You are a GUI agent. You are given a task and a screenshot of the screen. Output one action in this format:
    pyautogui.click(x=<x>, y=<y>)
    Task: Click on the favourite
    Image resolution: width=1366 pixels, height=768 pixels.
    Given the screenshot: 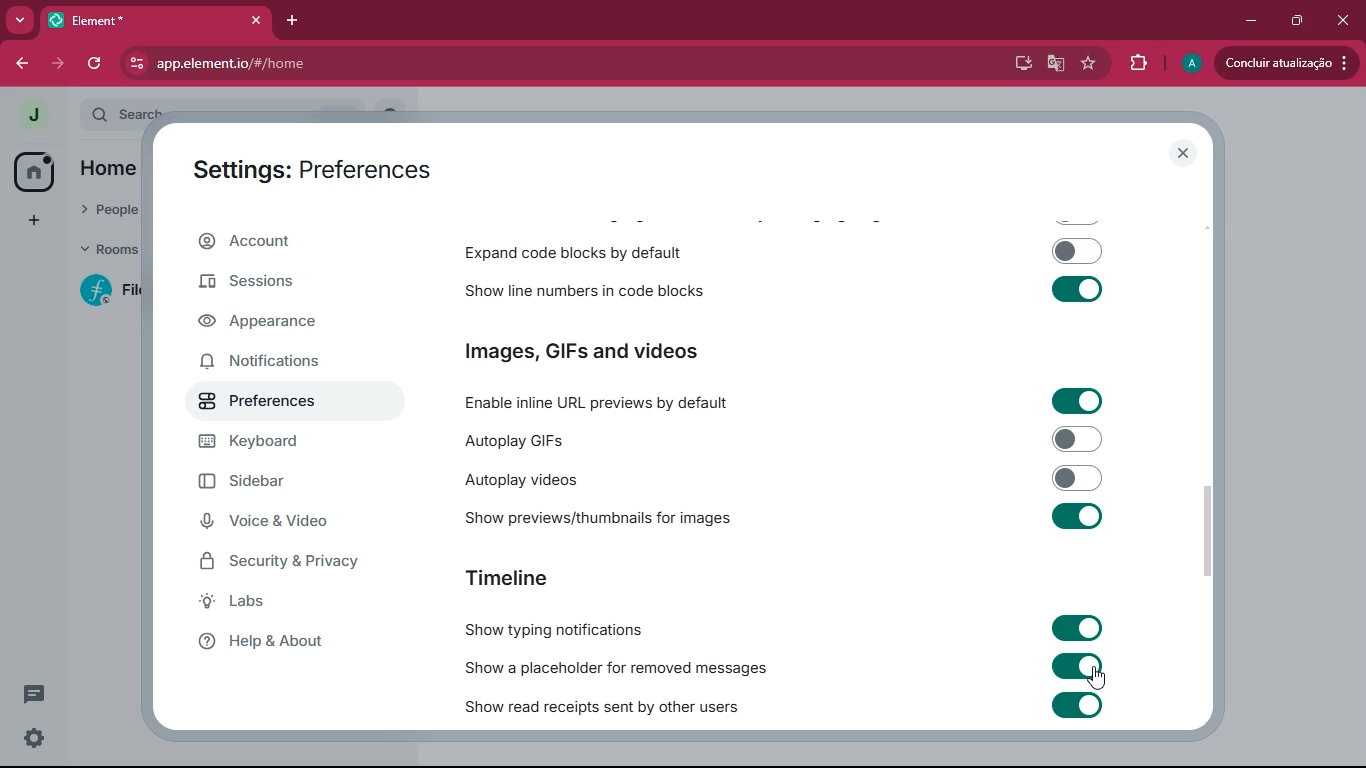 What is the action you would take?
    pyautogui.click(x=1093, y=64)
    